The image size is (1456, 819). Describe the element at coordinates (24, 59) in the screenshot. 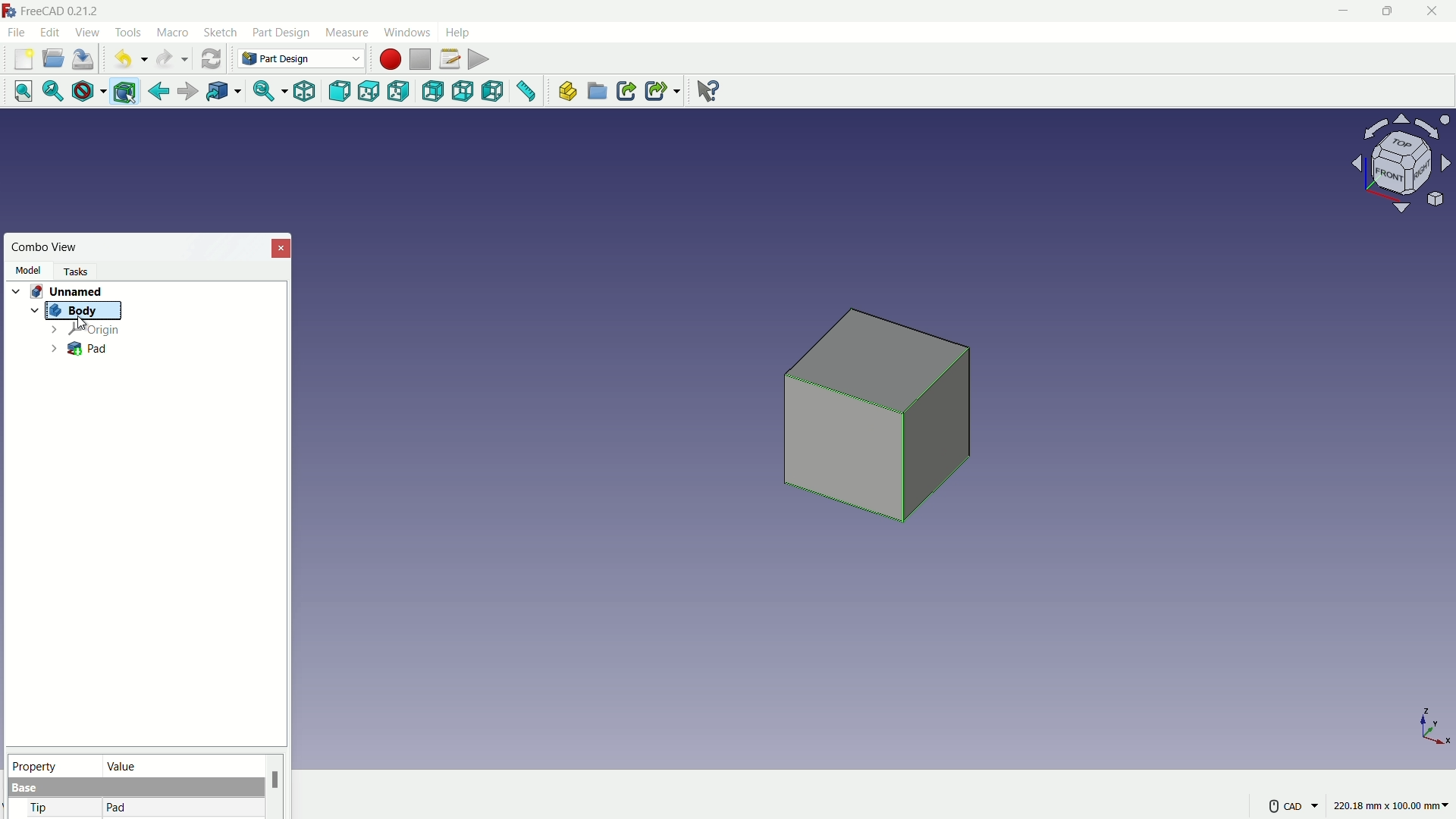

I see `new file` at that location.